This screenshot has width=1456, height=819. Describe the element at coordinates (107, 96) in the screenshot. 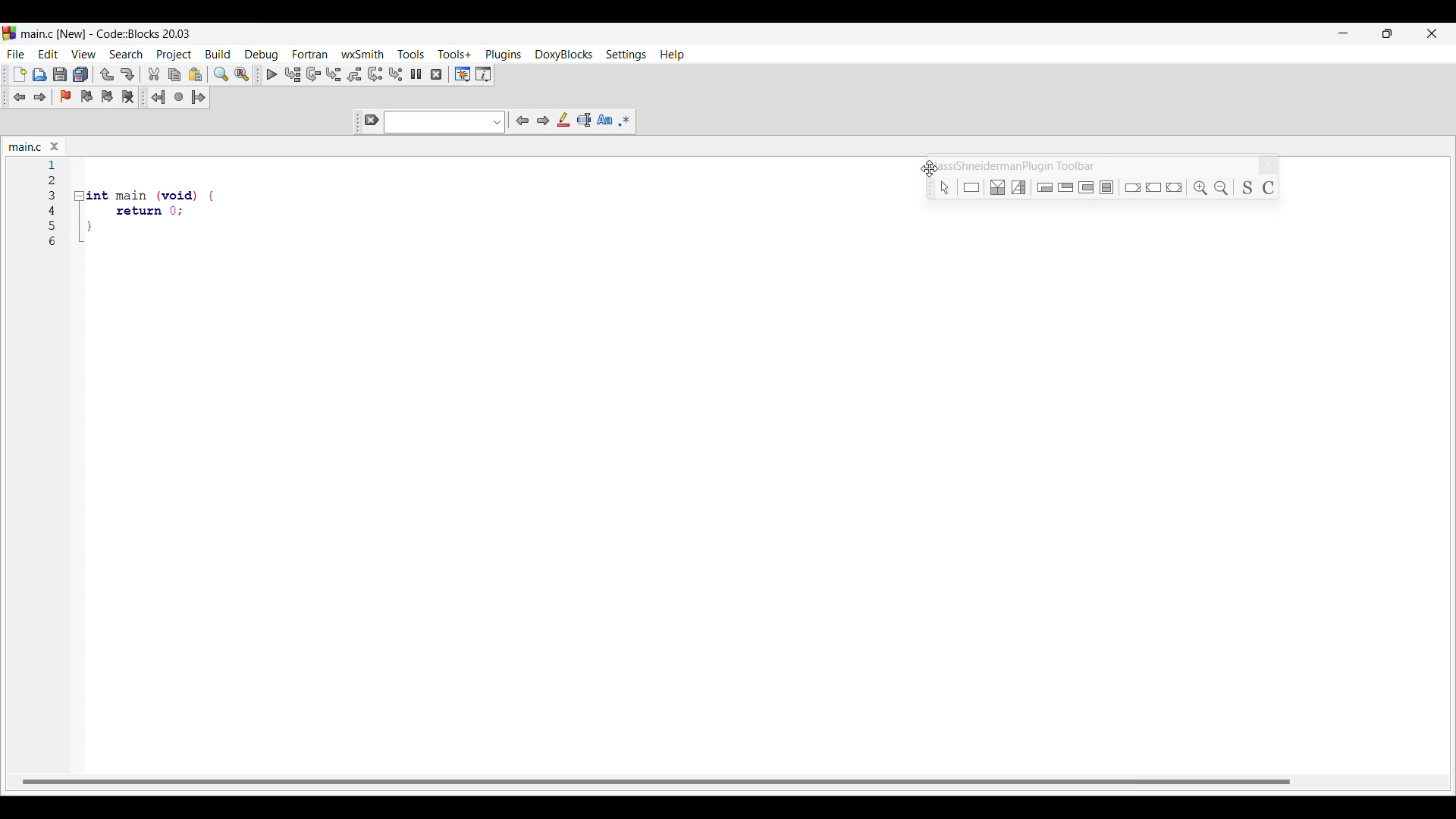

I see `Next bookmark` at that location.